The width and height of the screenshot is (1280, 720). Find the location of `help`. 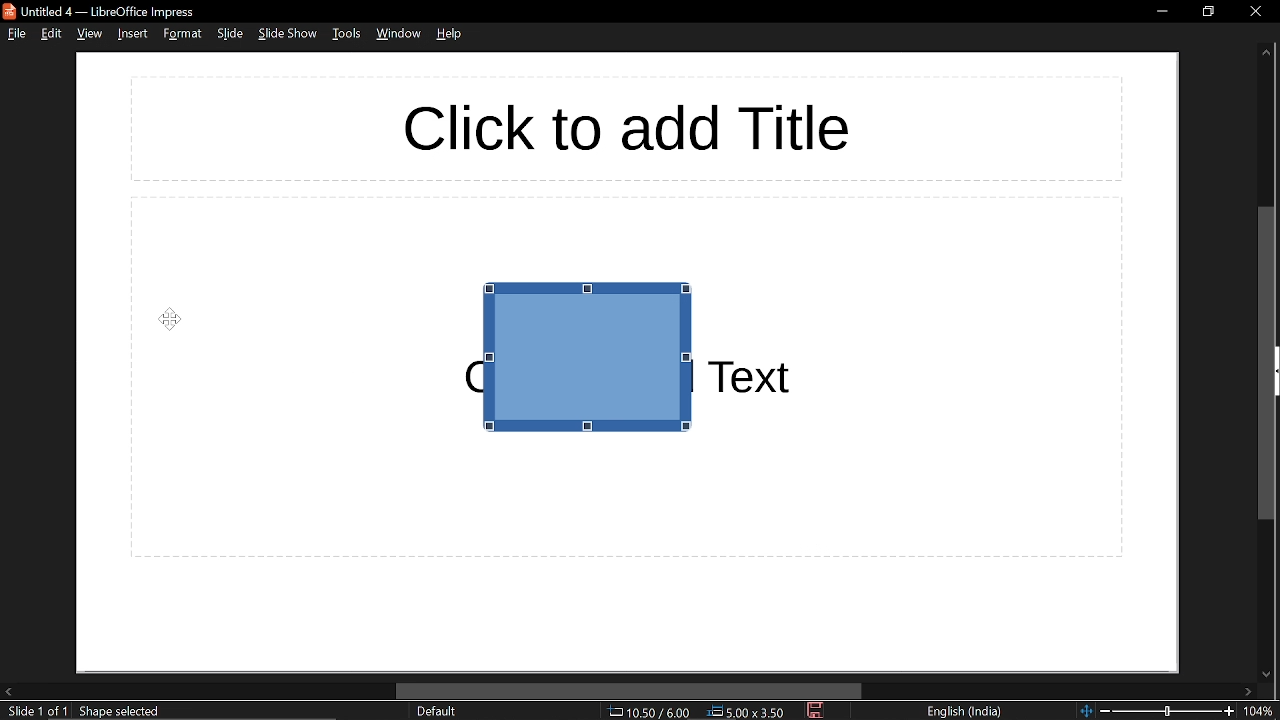

help is located at coordinates (450, 33).